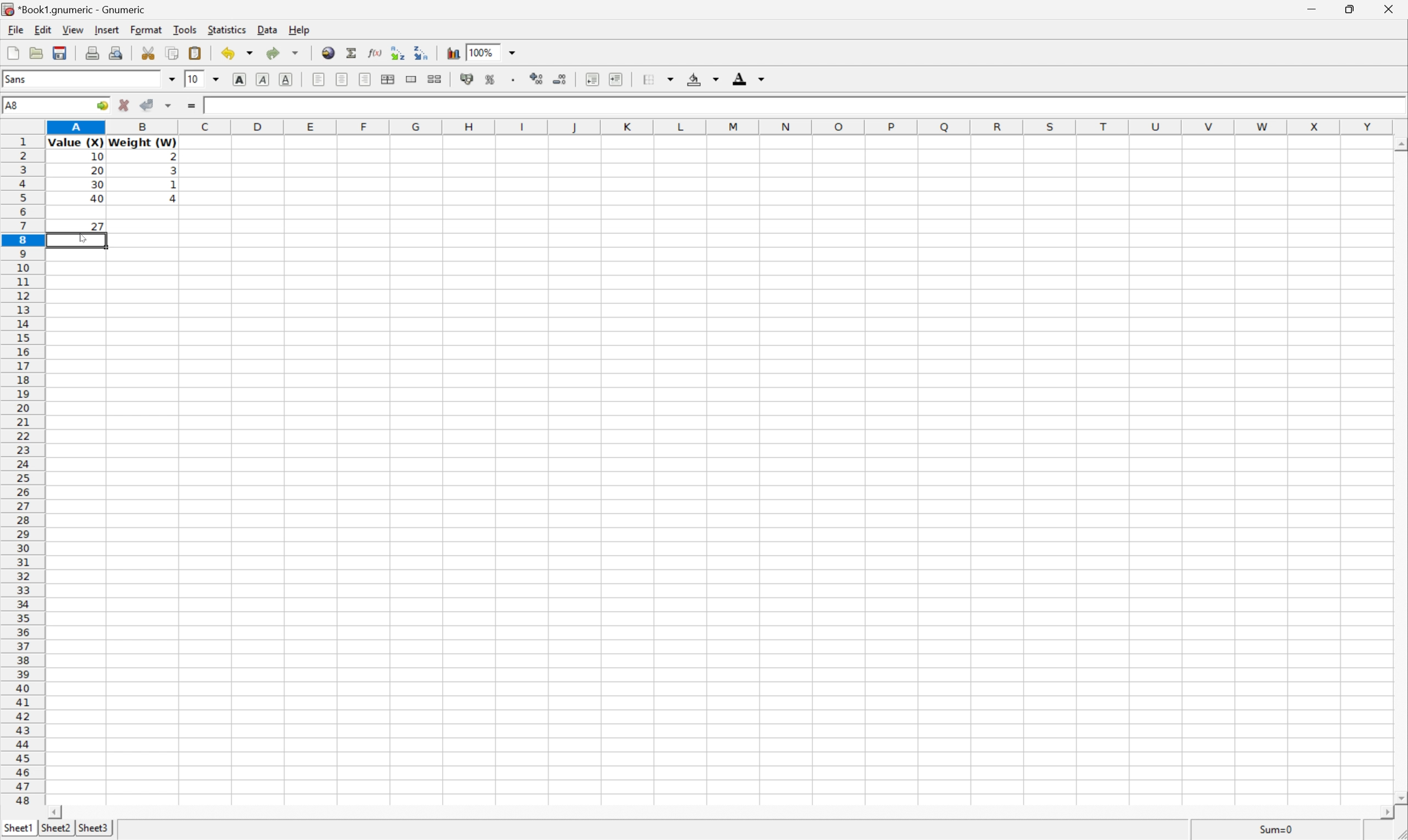 This screenshot has height=840, width=1408. What do you see at coordinates (14, 103) in the screenshot?
I see `A8` at bounding box center [14, 103].